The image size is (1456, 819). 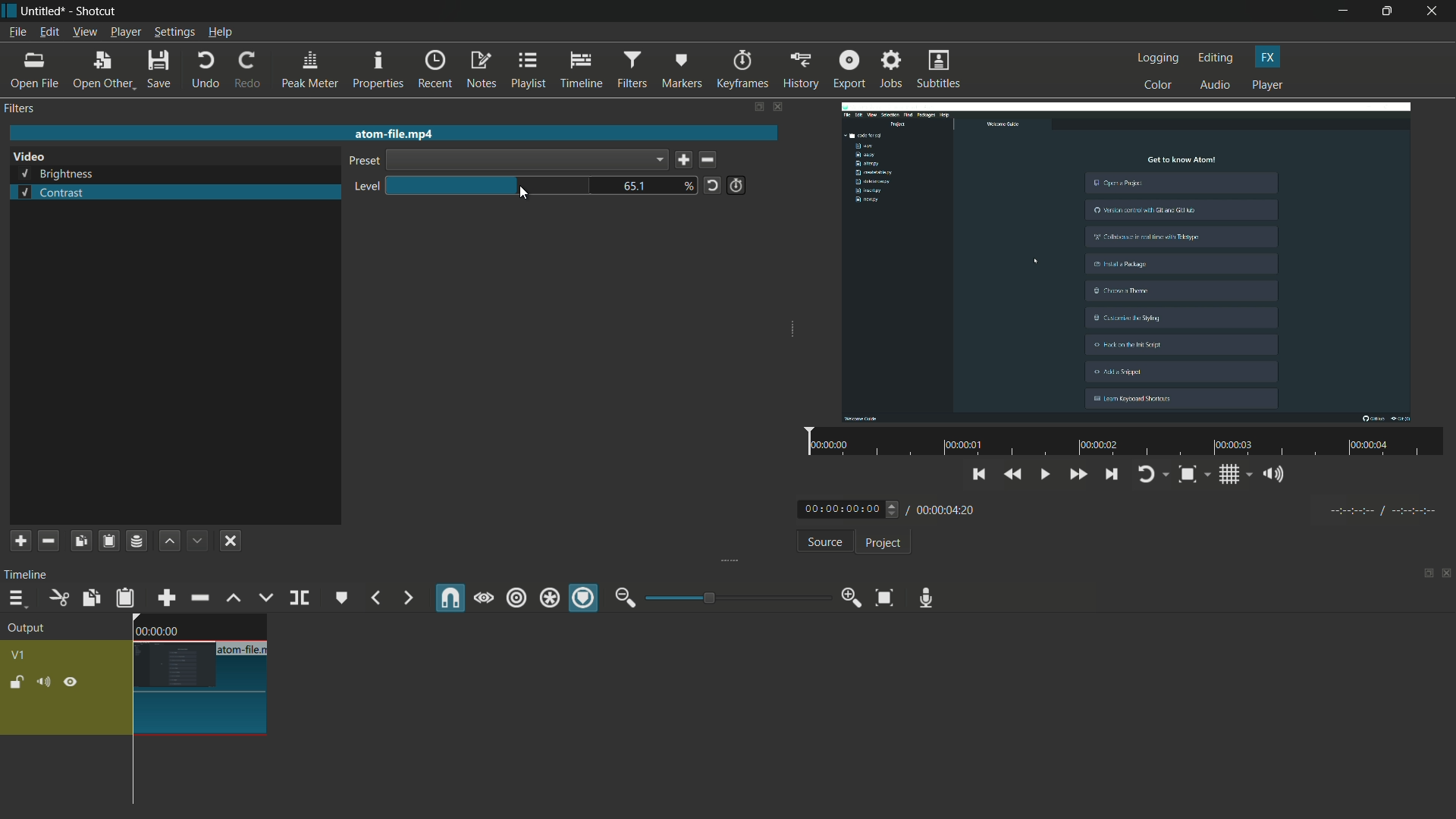 I want to click on zoom out, so click(x=625, y=598).